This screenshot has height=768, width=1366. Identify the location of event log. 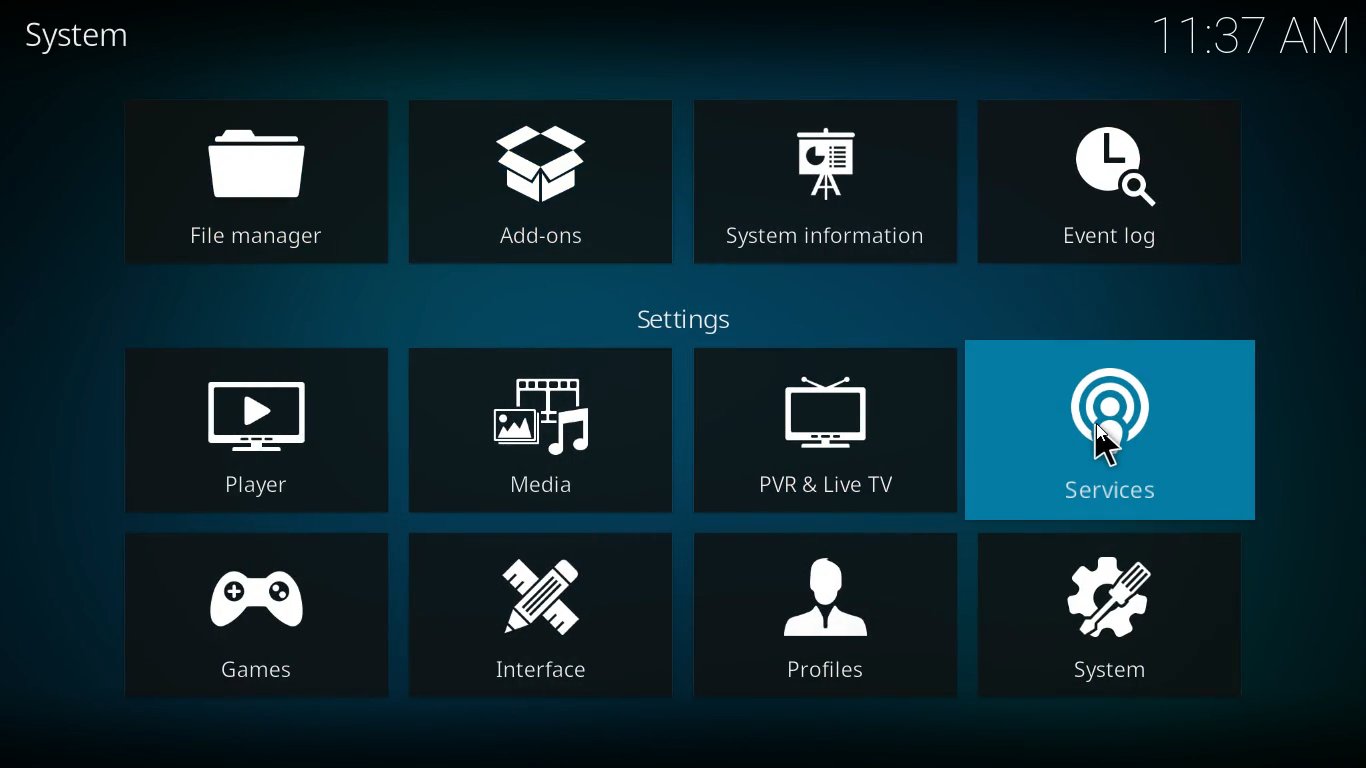
(1115, 177).